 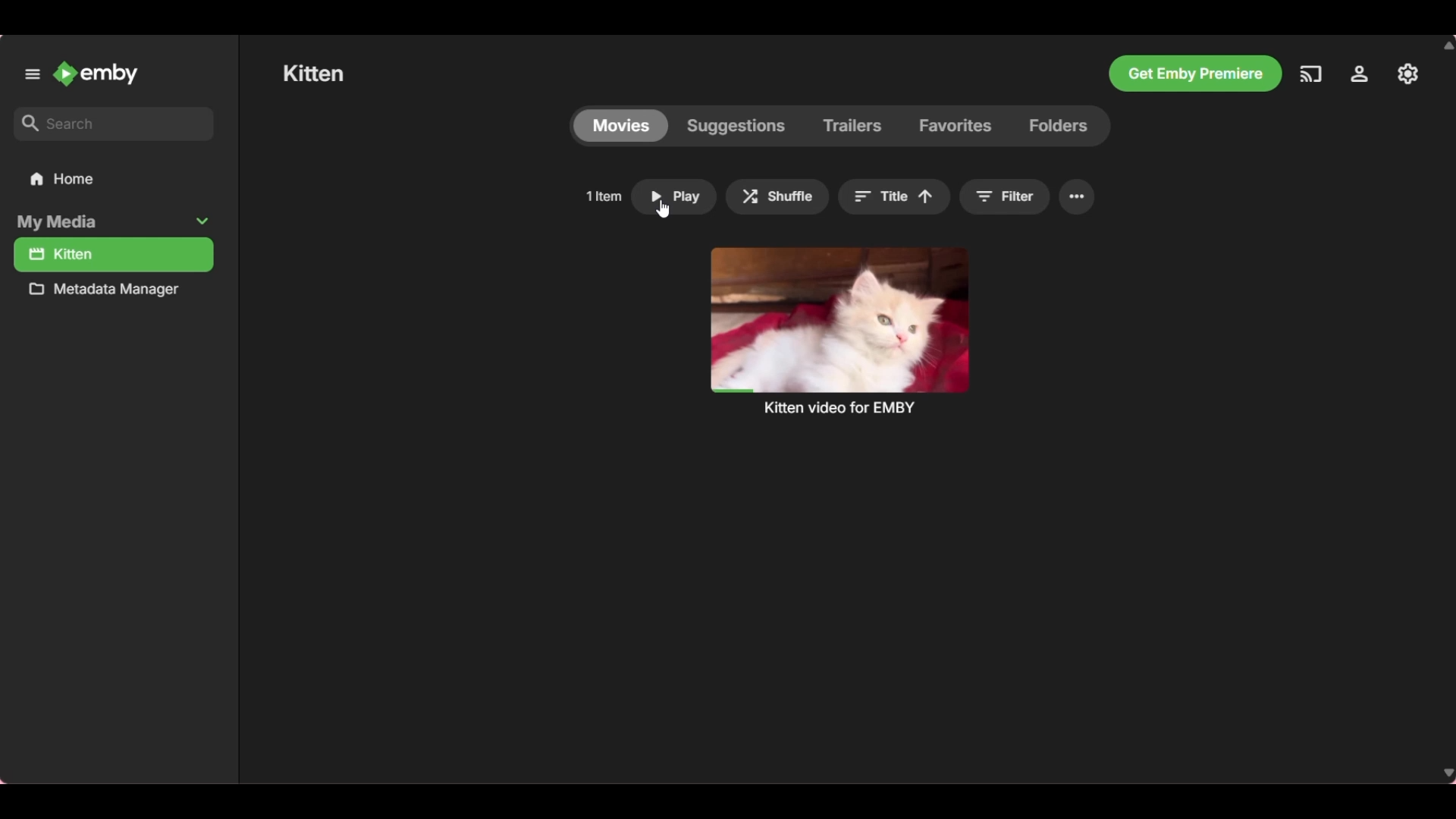 I want to click on Go to home page, so click(x=94, y=74).